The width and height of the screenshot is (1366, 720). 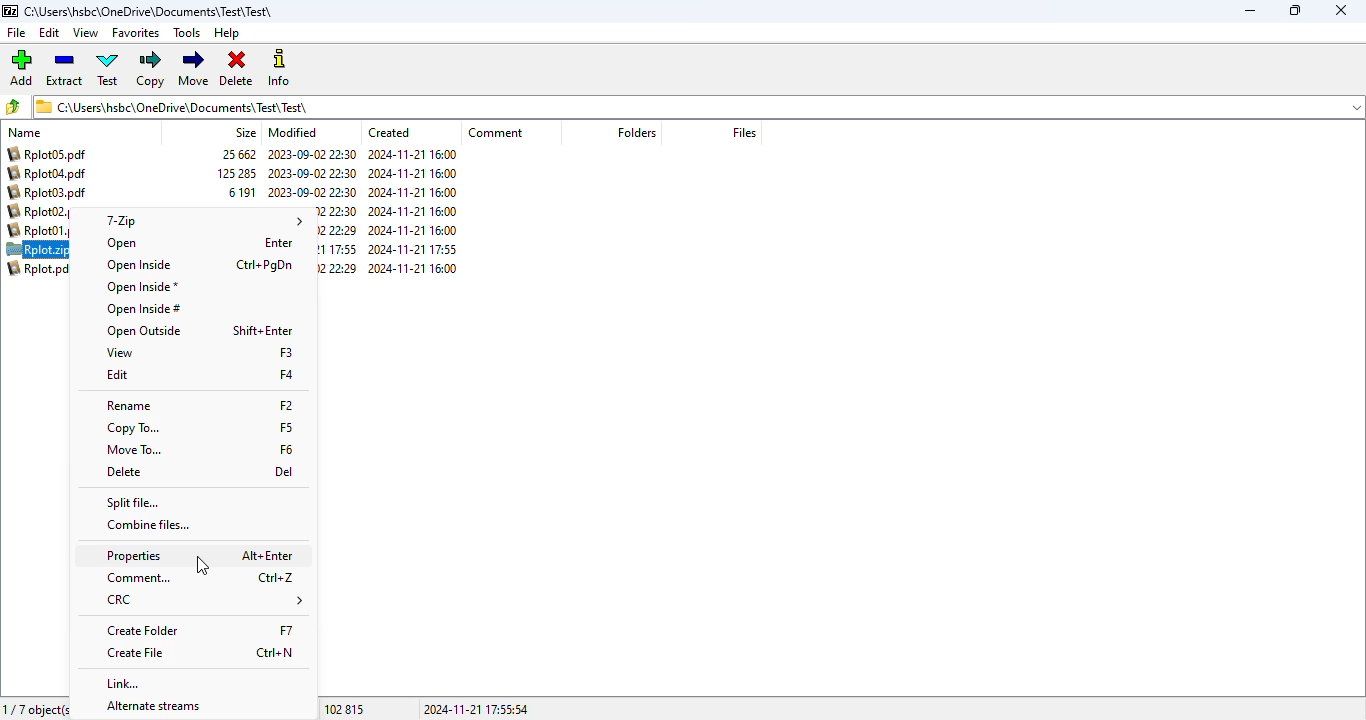 What do you see at coordinates (287, 426) in the screenshot?
I see `shortcut for copy to` at bounding box center [287, 426].